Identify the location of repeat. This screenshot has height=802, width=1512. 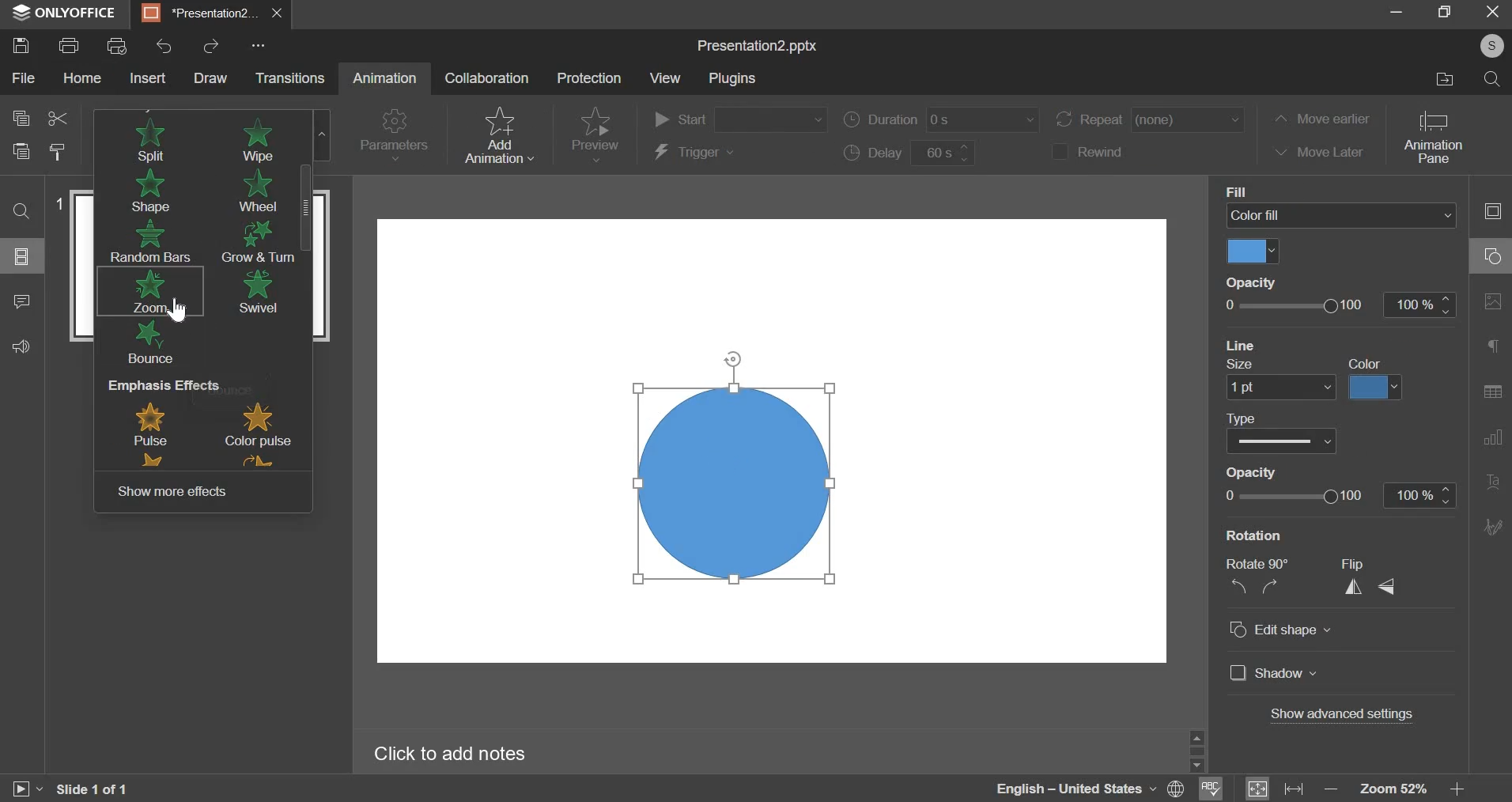
(1149, 119).